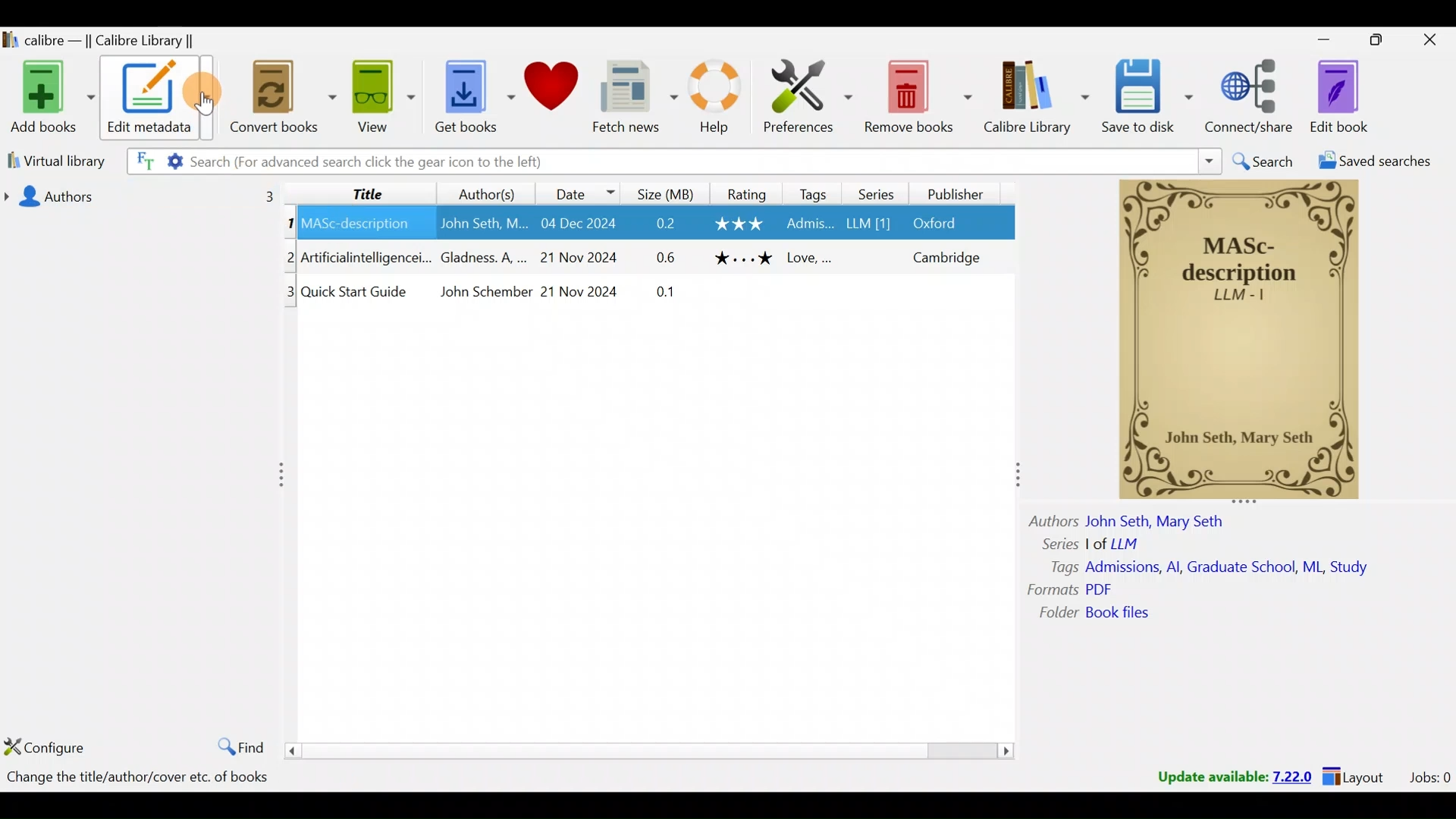 This screenshot has height=819, width=1456. Describe the element at coordinates (121, 42) in the screenshot. I see `Calibre library` at that location.